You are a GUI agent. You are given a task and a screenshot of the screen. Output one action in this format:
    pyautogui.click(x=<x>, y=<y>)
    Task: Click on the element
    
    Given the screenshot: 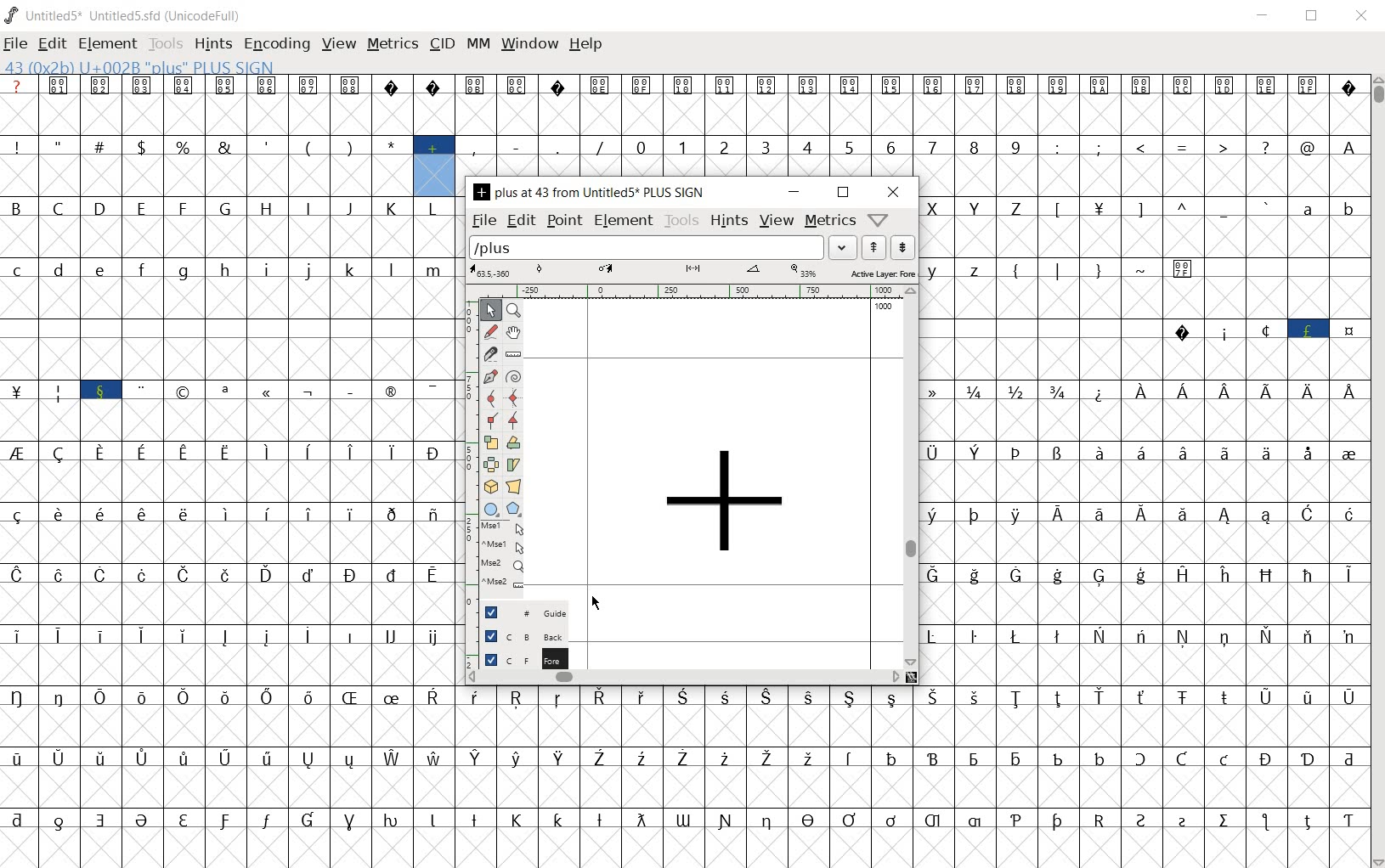 What is the action you would take?
    pyautogui.click(x=105, y=41)
    